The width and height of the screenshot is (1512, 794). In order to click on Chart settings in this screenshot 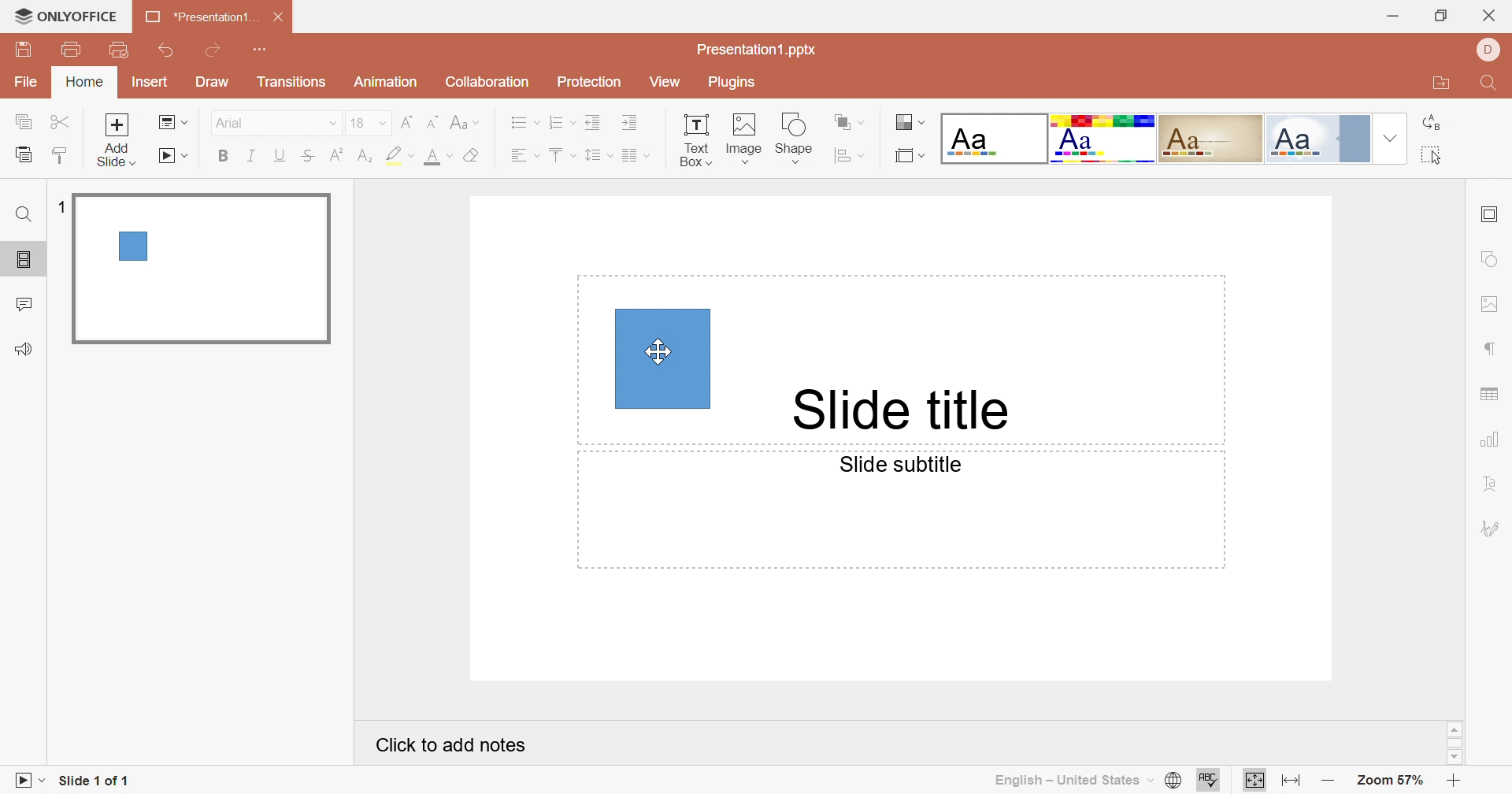, I will do `click(1495, 437)`.